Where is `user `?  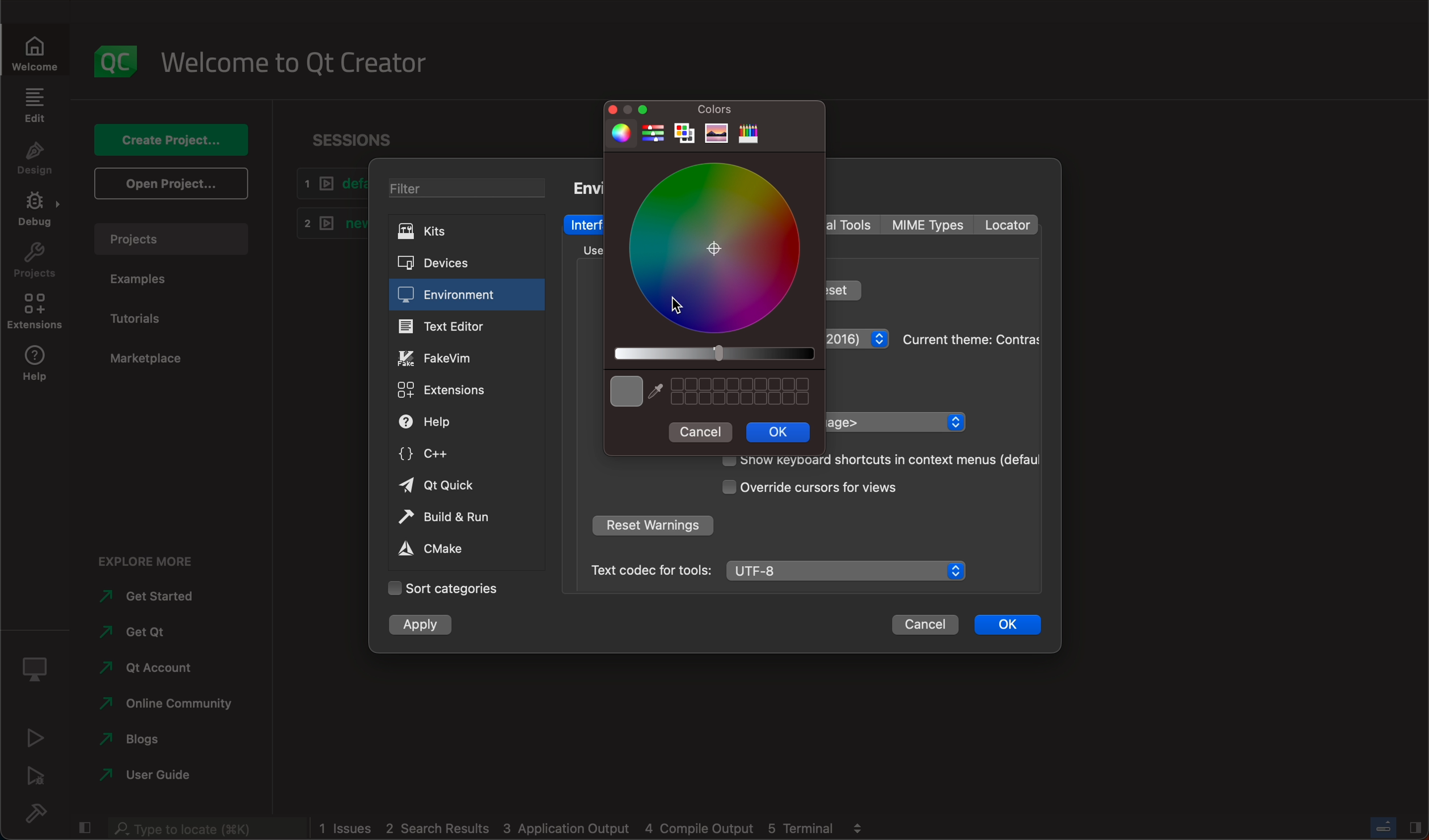
user  is located at coordinates (147, 774).